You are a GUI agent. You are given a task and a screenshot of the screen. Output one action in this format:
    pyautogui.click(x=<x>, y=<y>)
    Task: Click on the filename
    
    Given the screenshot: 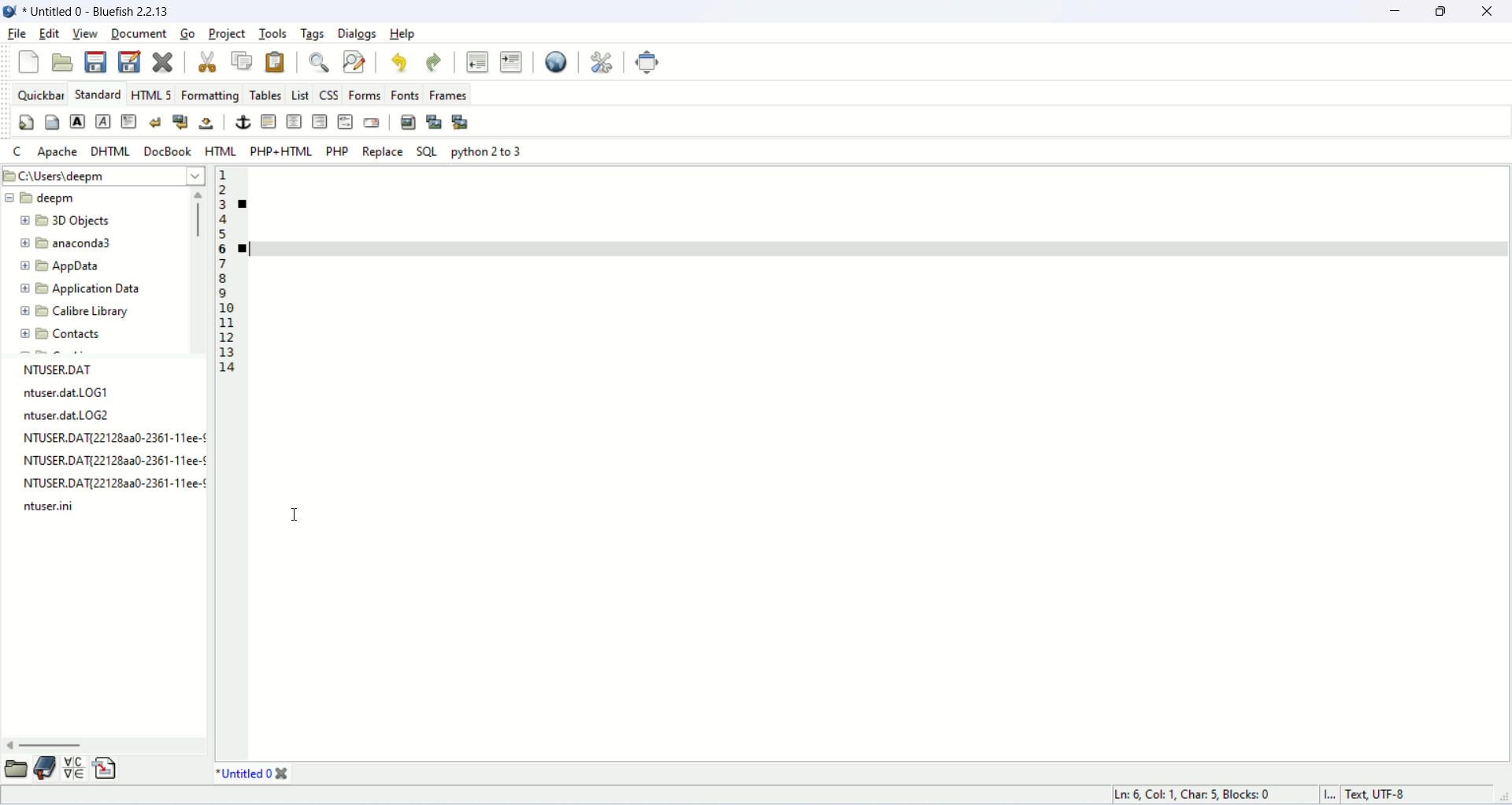 What is the action you would take?
    pyautogui.click(x=245, y=774)
    